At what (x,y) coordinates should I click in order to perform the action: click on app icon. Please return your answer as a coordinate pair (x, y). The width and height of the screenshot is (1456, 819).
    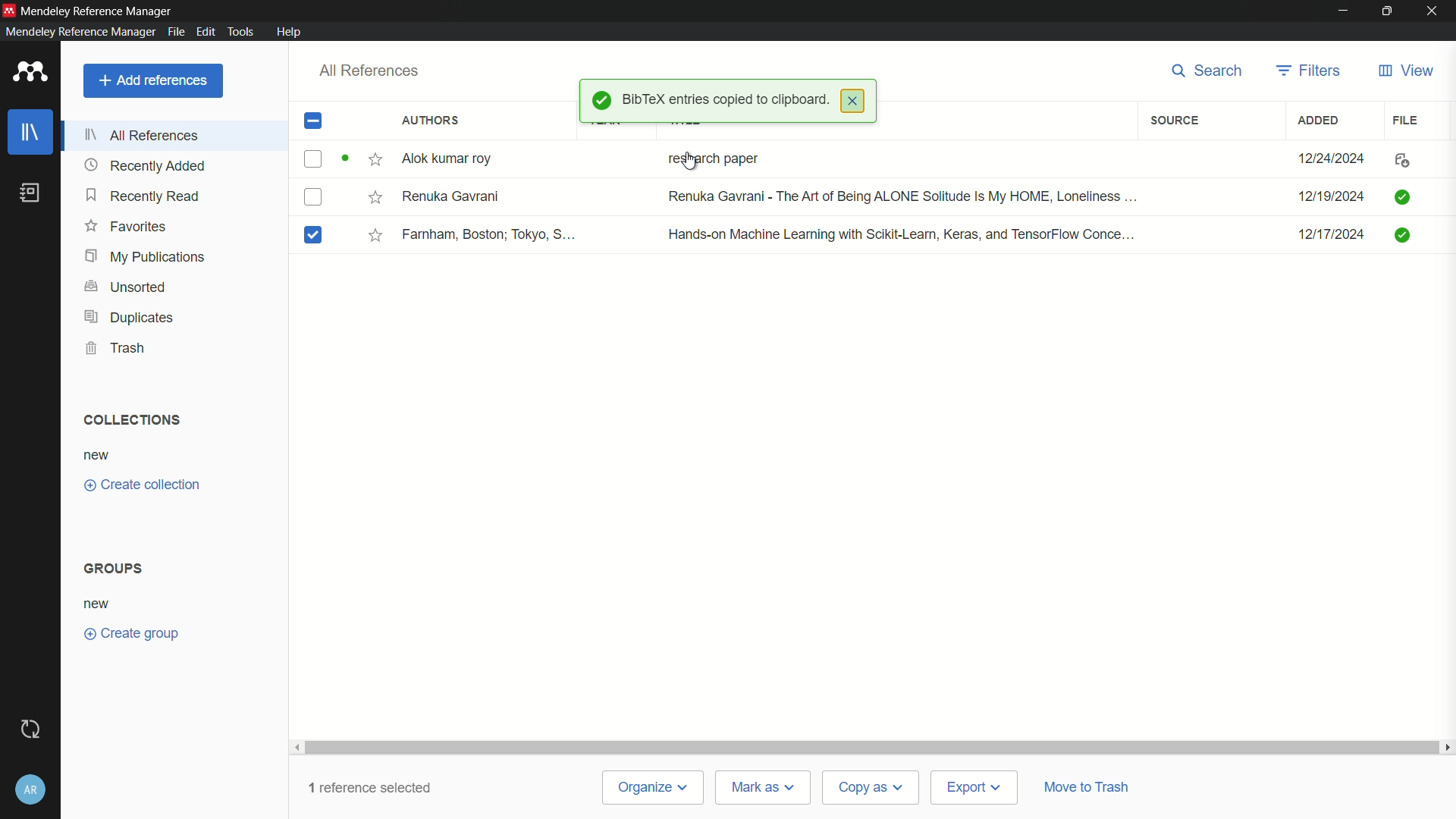
    Looking at the image, I should click on (30, 71).